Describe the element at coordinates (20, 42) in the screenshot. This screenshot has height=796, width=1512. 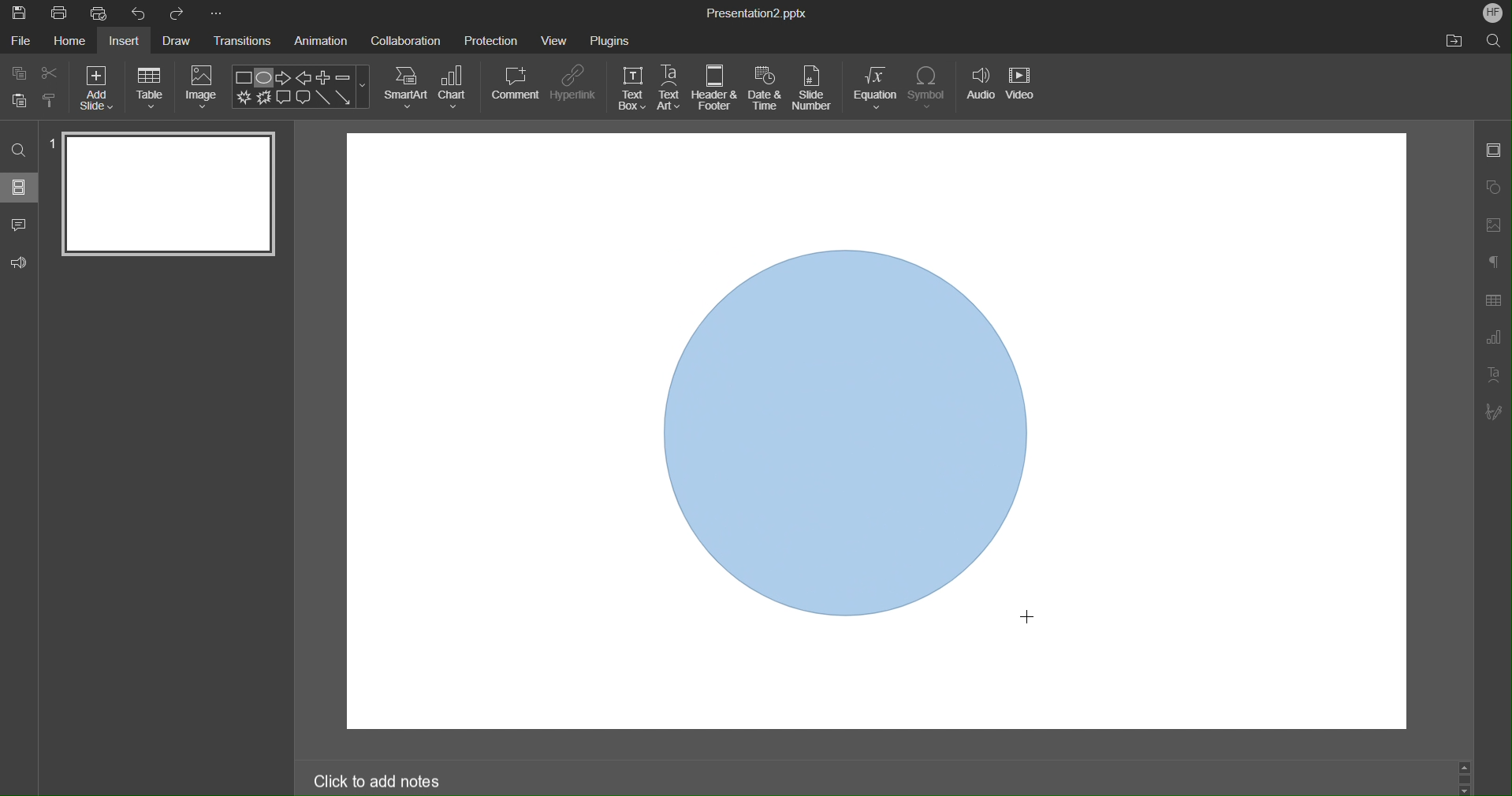
I see `File` at that location.